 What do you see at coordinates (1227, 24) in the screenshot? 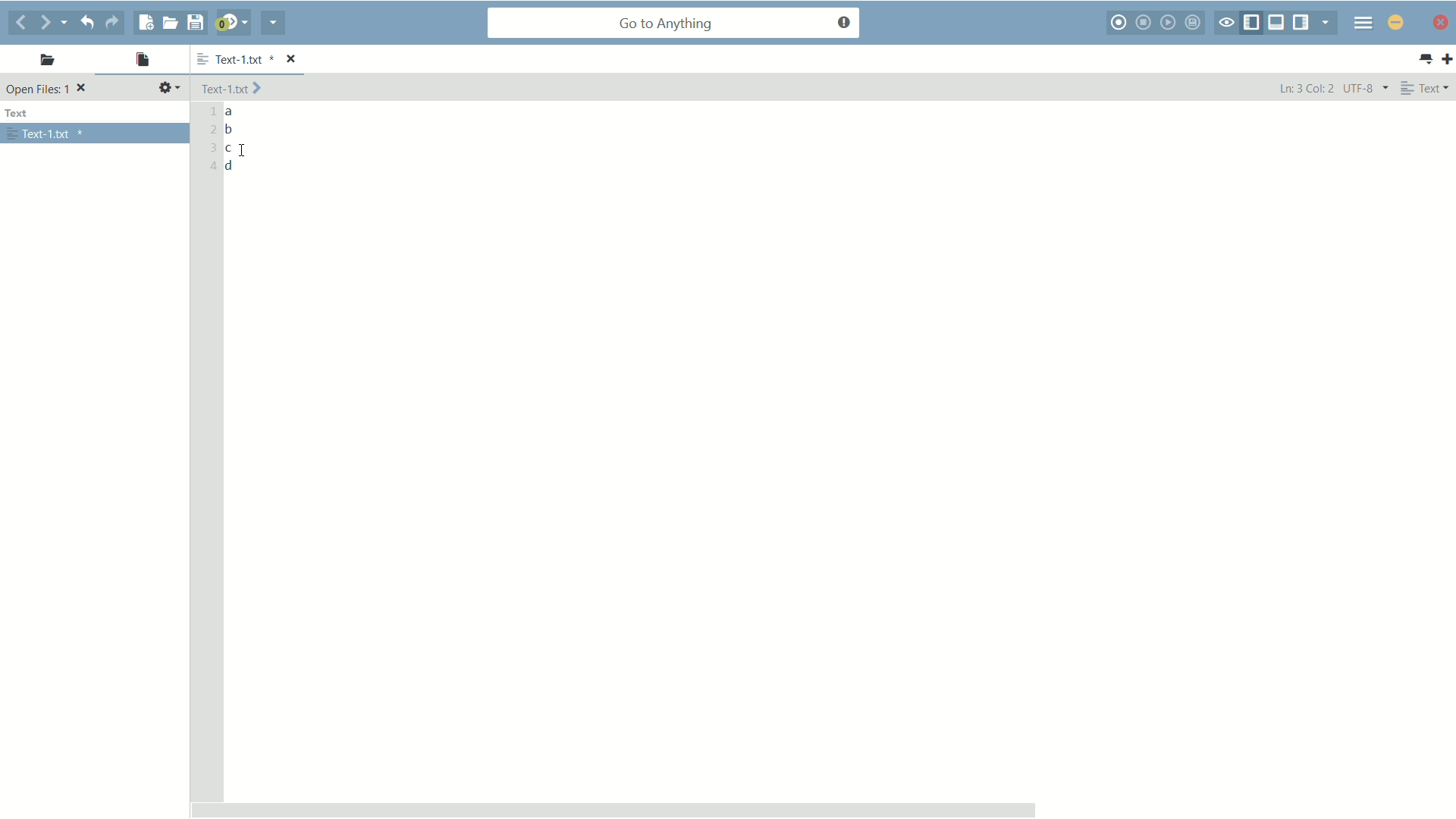
I see `toggle focus mode` at bounding box center [1227, 24].